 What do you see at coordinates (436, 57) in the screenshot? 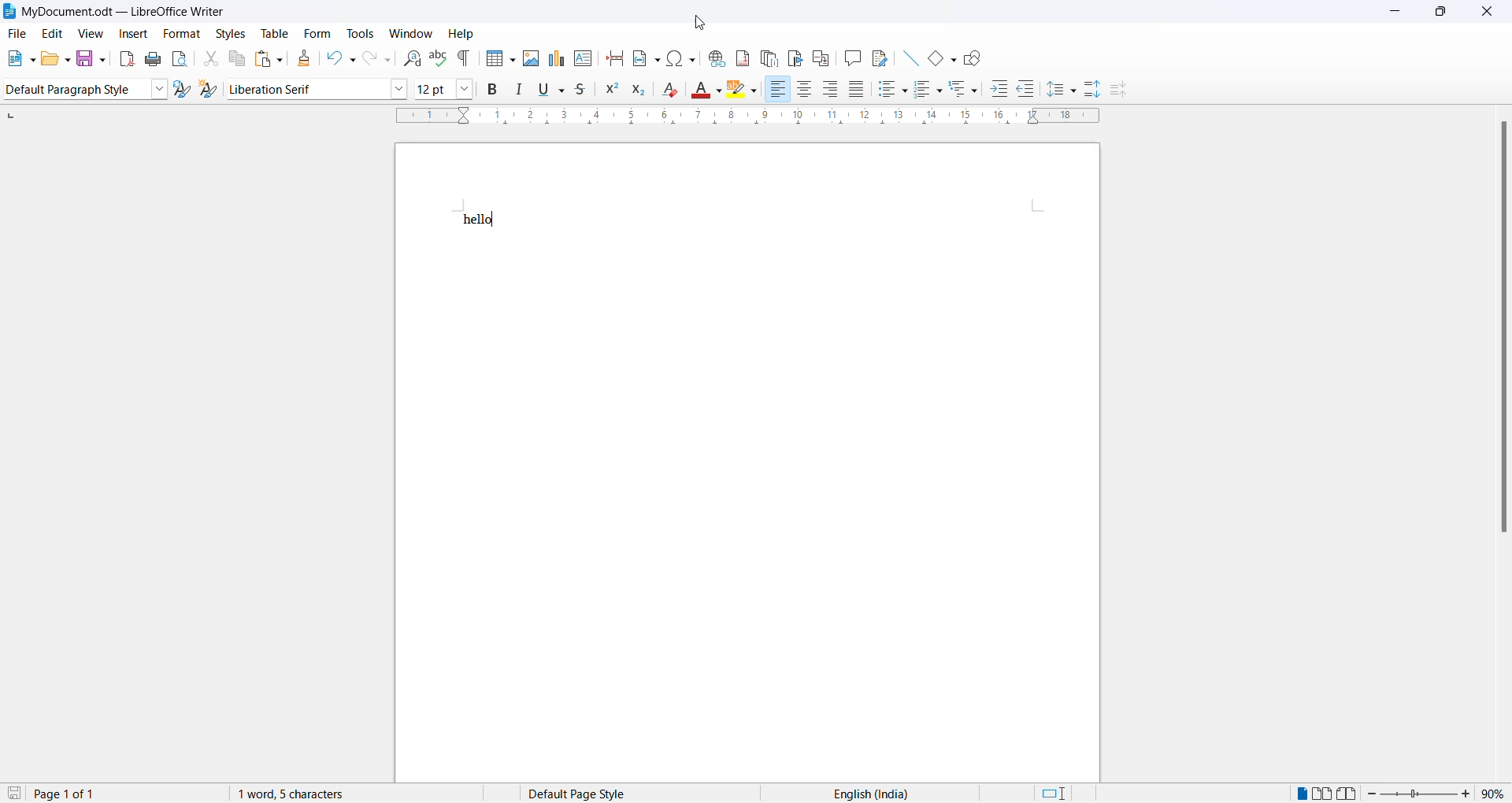
I see `Spellings` at bounding box center [436, 57].